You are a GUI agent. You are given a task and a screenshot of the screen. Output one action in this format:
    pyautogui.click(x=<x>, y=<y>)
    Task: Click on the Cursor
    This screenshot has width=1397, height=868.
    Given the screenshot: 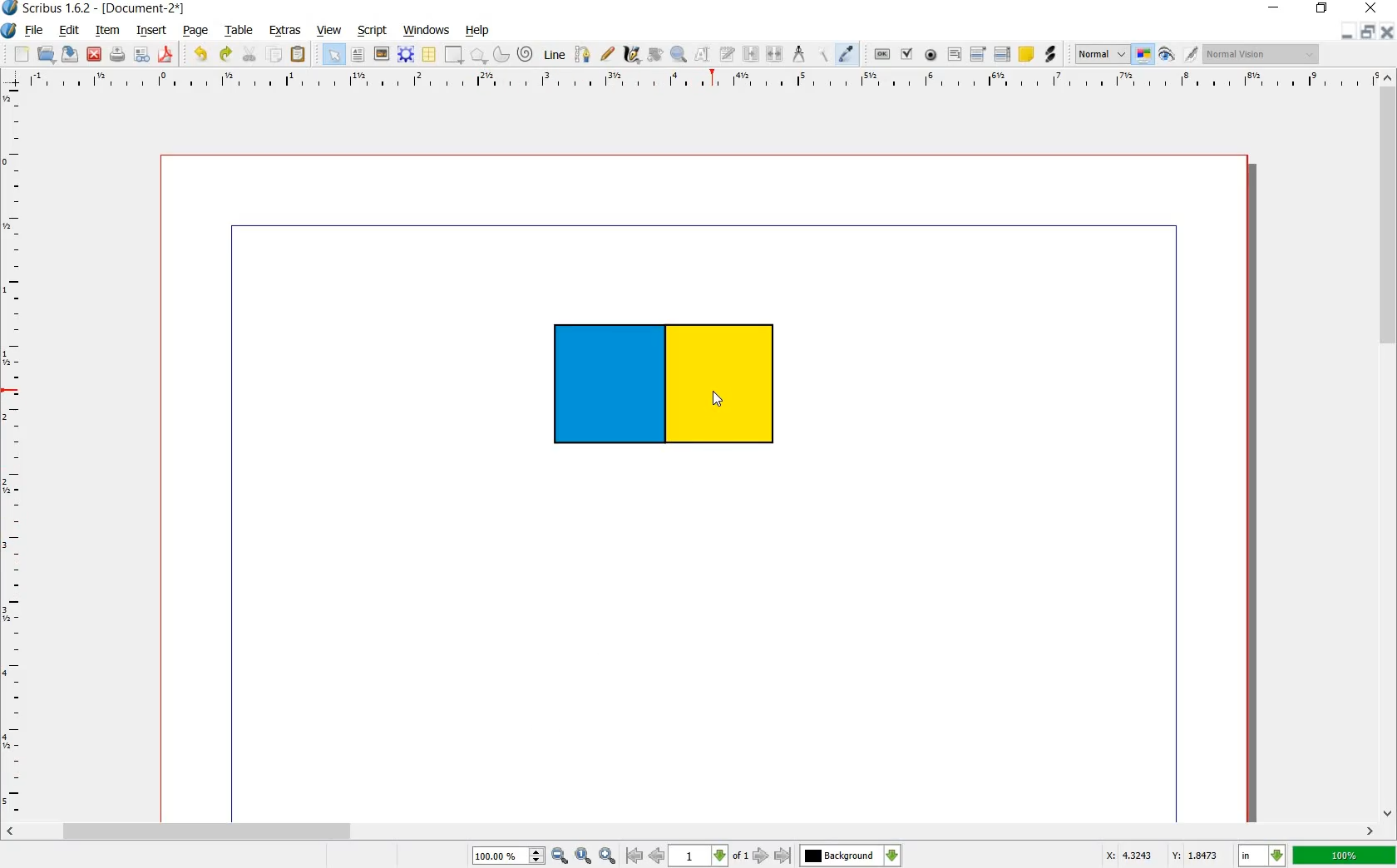 What is the action you would take?
    pyautogui.click(x=718, y=399)
    